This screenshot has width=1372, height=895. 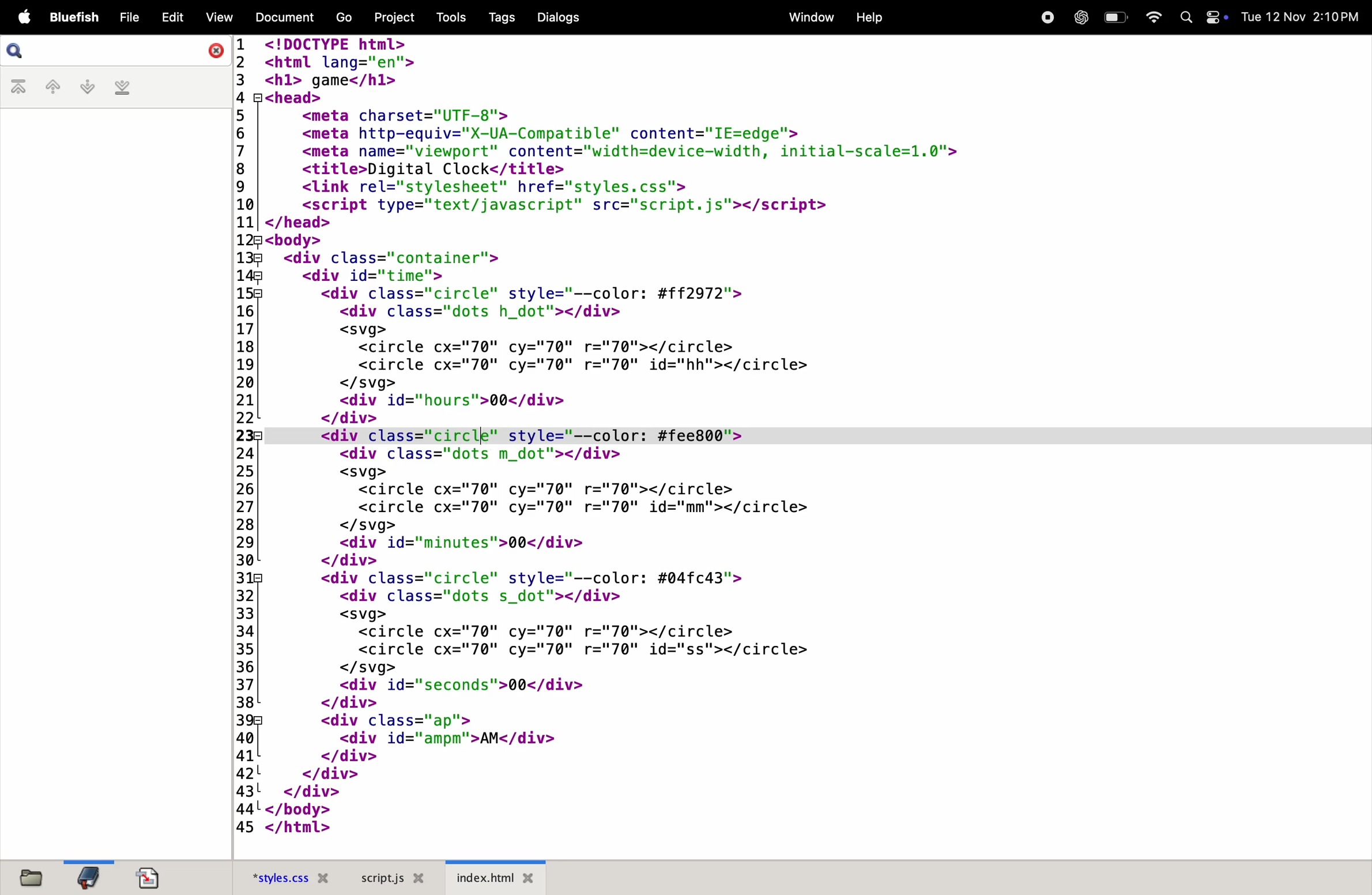 What do you see at coordinates (292, 877) in the screenshot?
I see `style.css` at bounding box center [292, 877].